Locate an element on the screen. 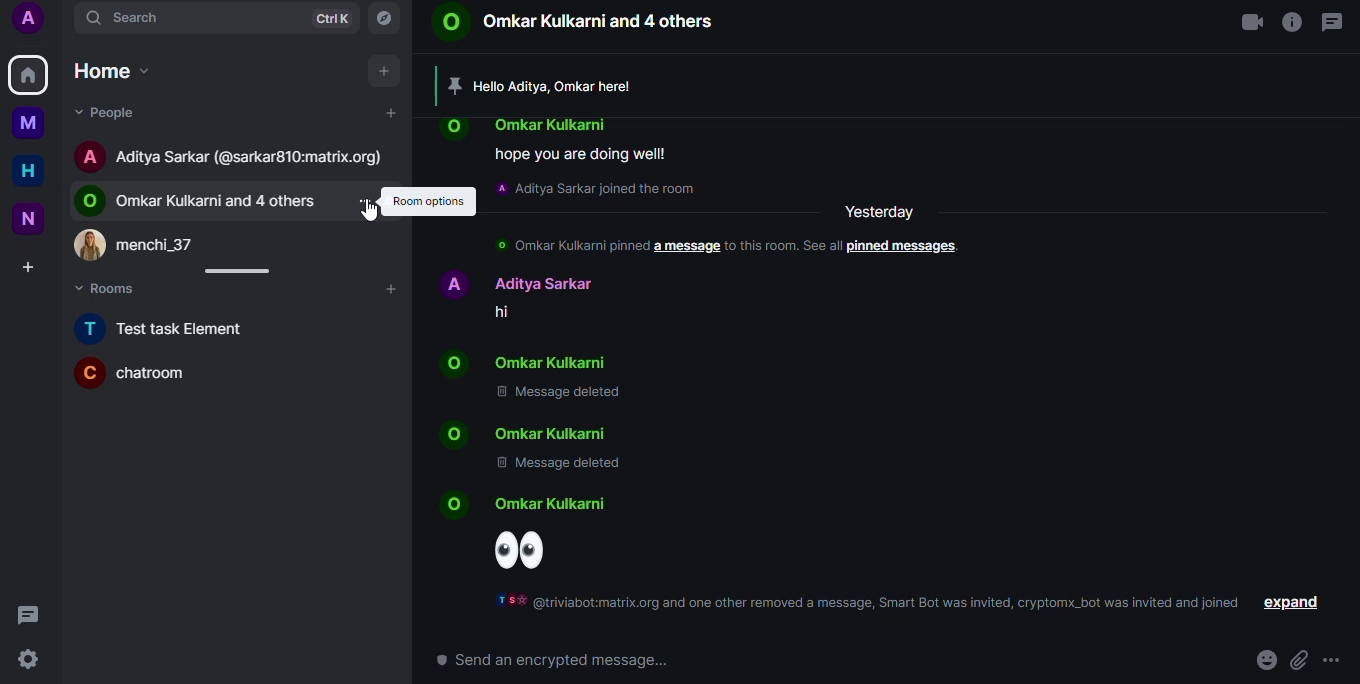 The height and width of the screenshot is (684, 1360). room options is located at coordinates (431, 201).